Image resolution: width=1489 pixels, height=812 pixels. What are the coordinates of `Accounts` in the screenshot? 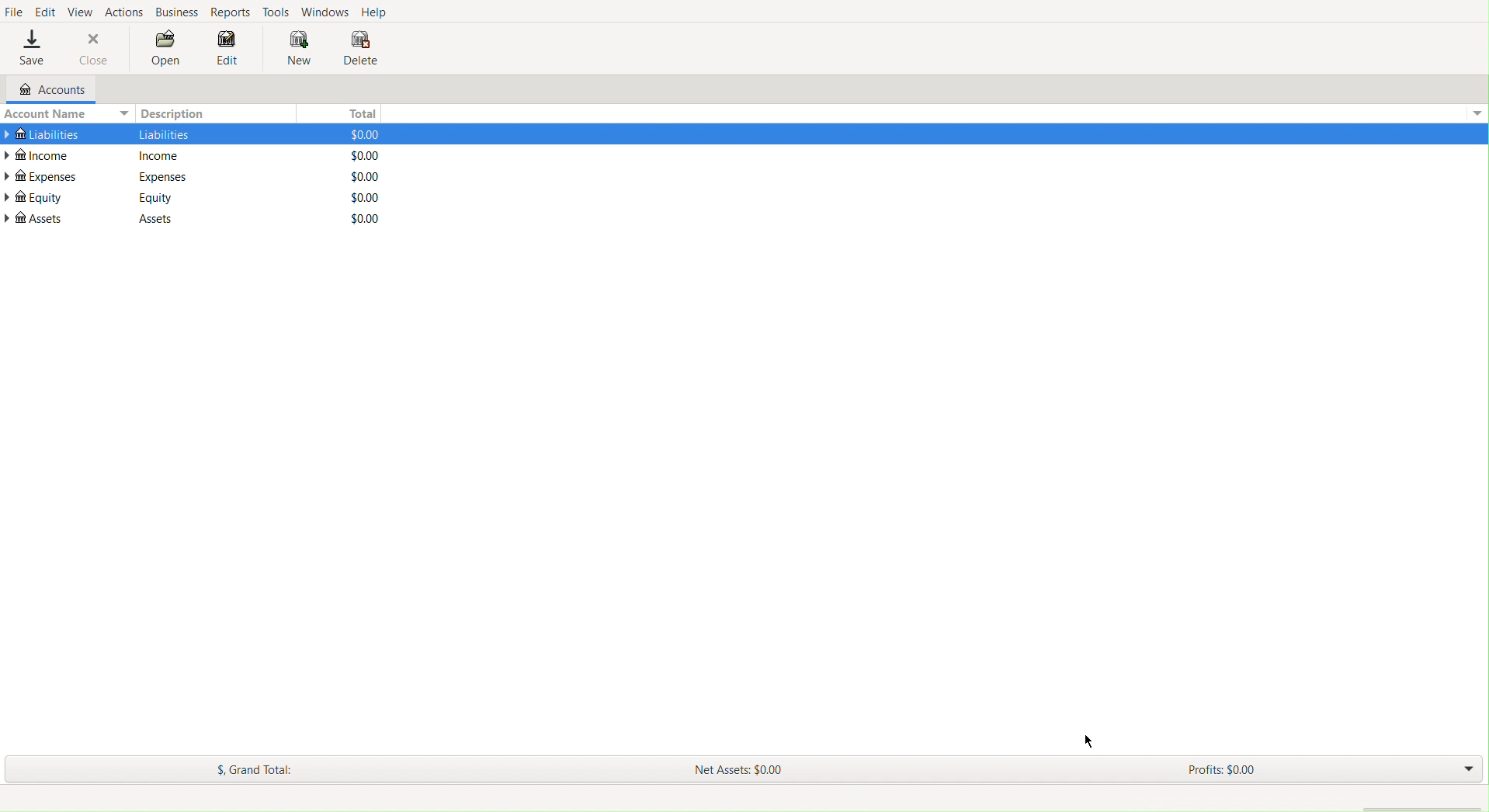 It's located at (45, 90).